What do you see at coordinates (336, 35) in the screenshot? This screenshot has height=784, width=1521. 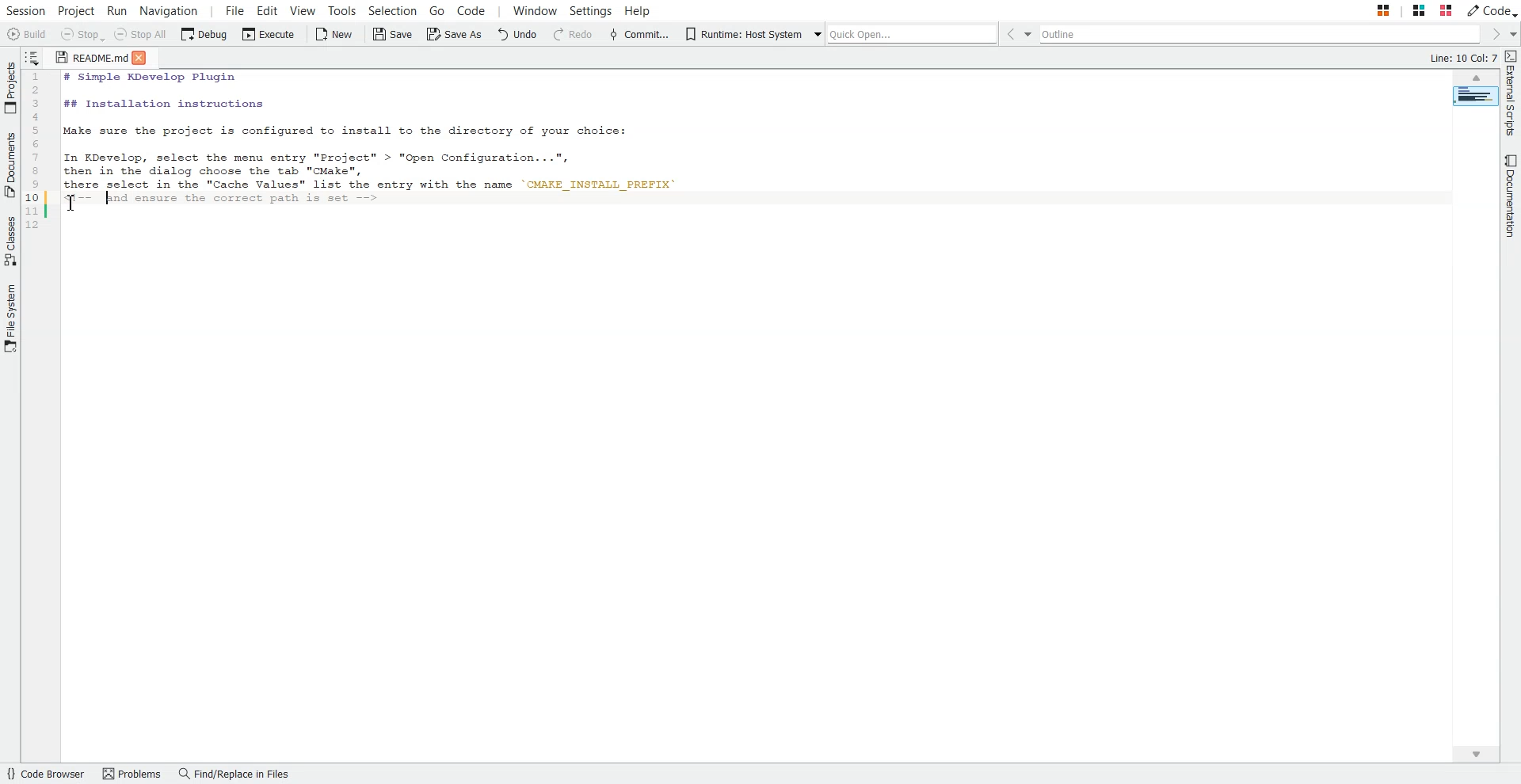 I see `New` at bounding box center [336, 35].